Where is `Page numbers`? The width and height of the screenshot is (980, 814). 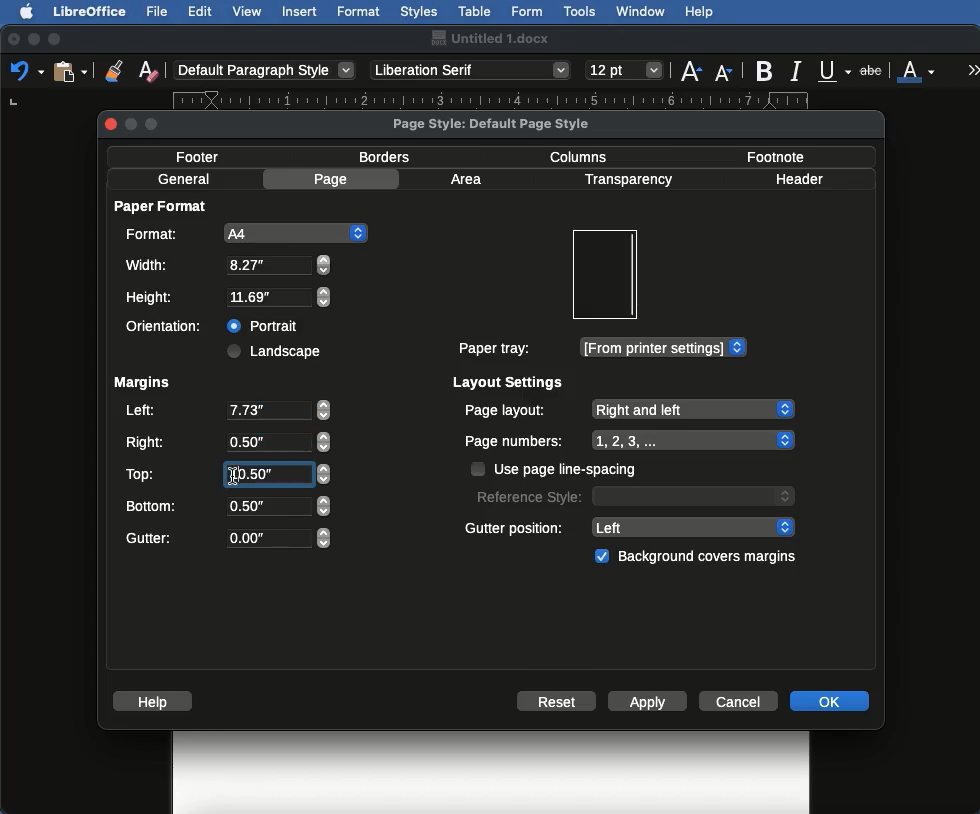 Page numbers is located at coordinates (630, 441).